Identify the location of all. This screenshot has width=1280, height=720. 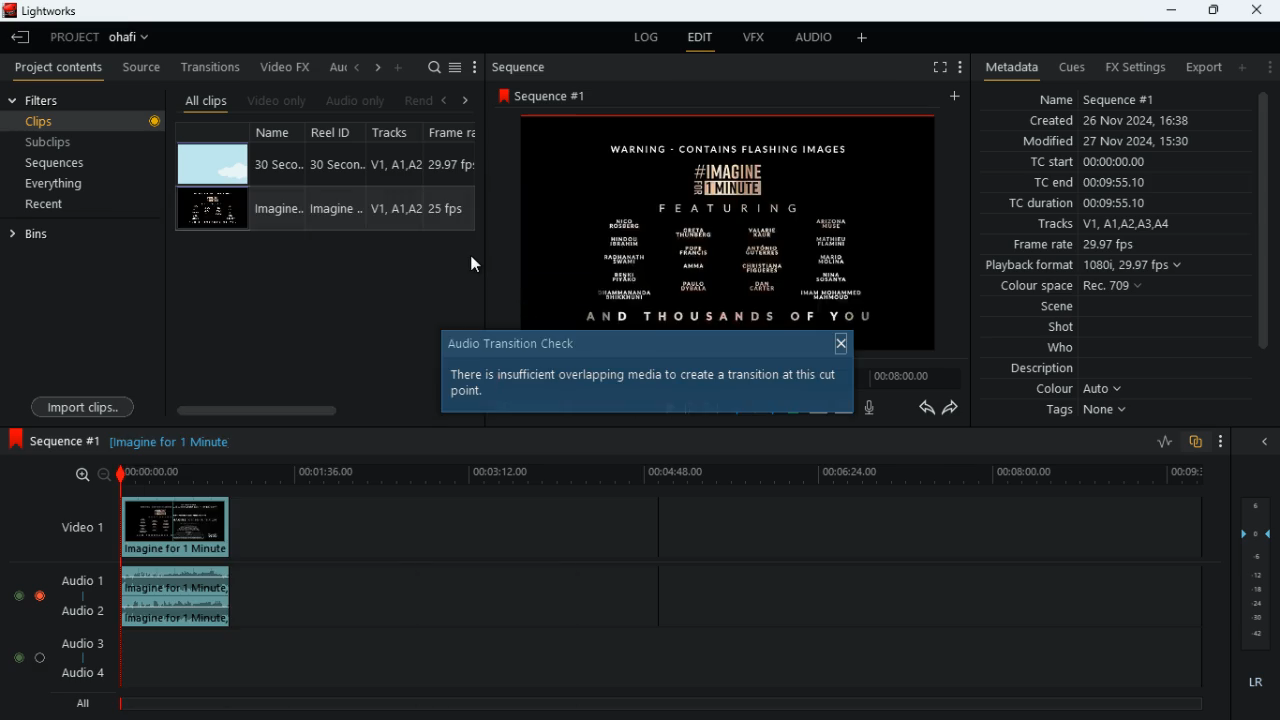
(80, 704).